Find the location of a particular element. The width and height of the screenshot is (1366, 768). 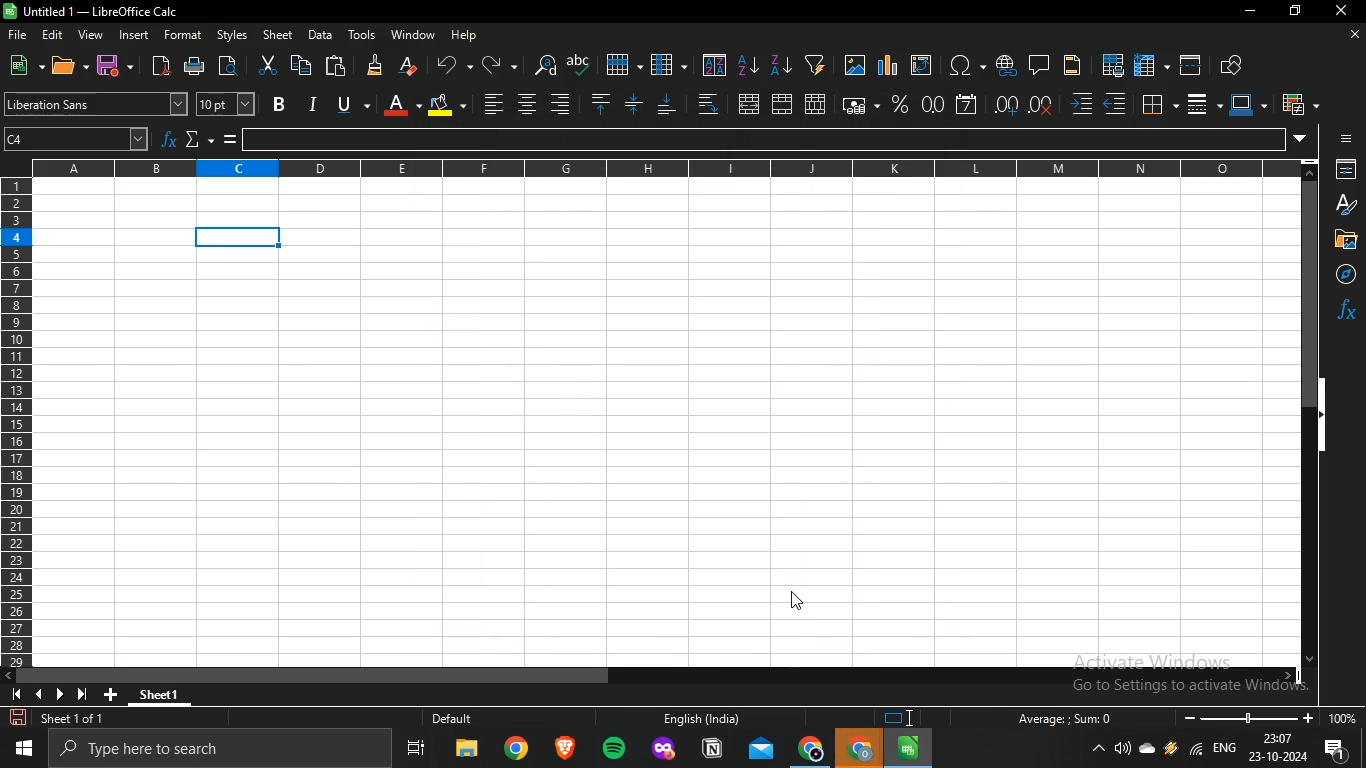

background color is located at coordinates (446, 104).